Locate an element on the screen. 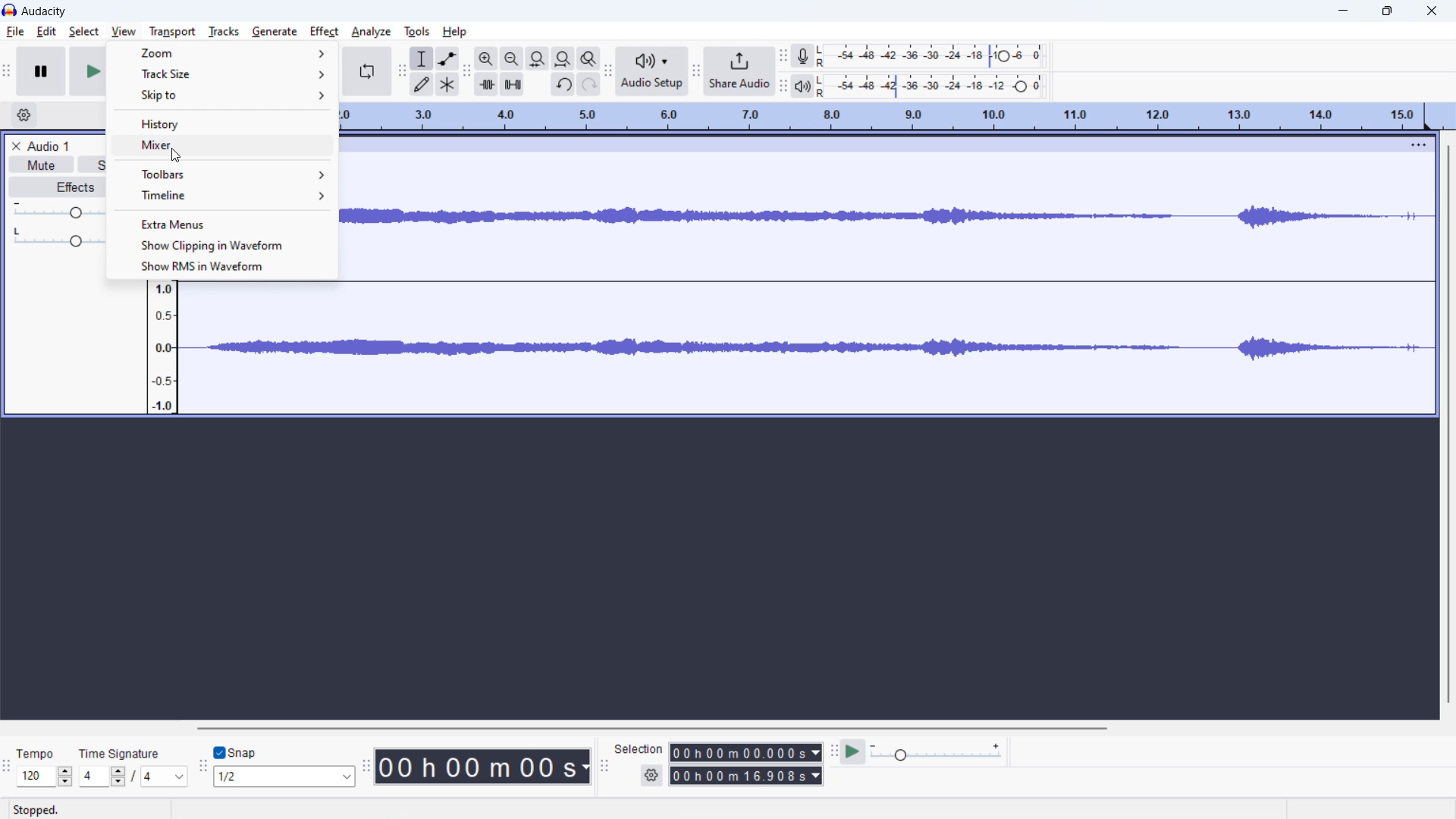  time signature is located at coordinates (128, 749).